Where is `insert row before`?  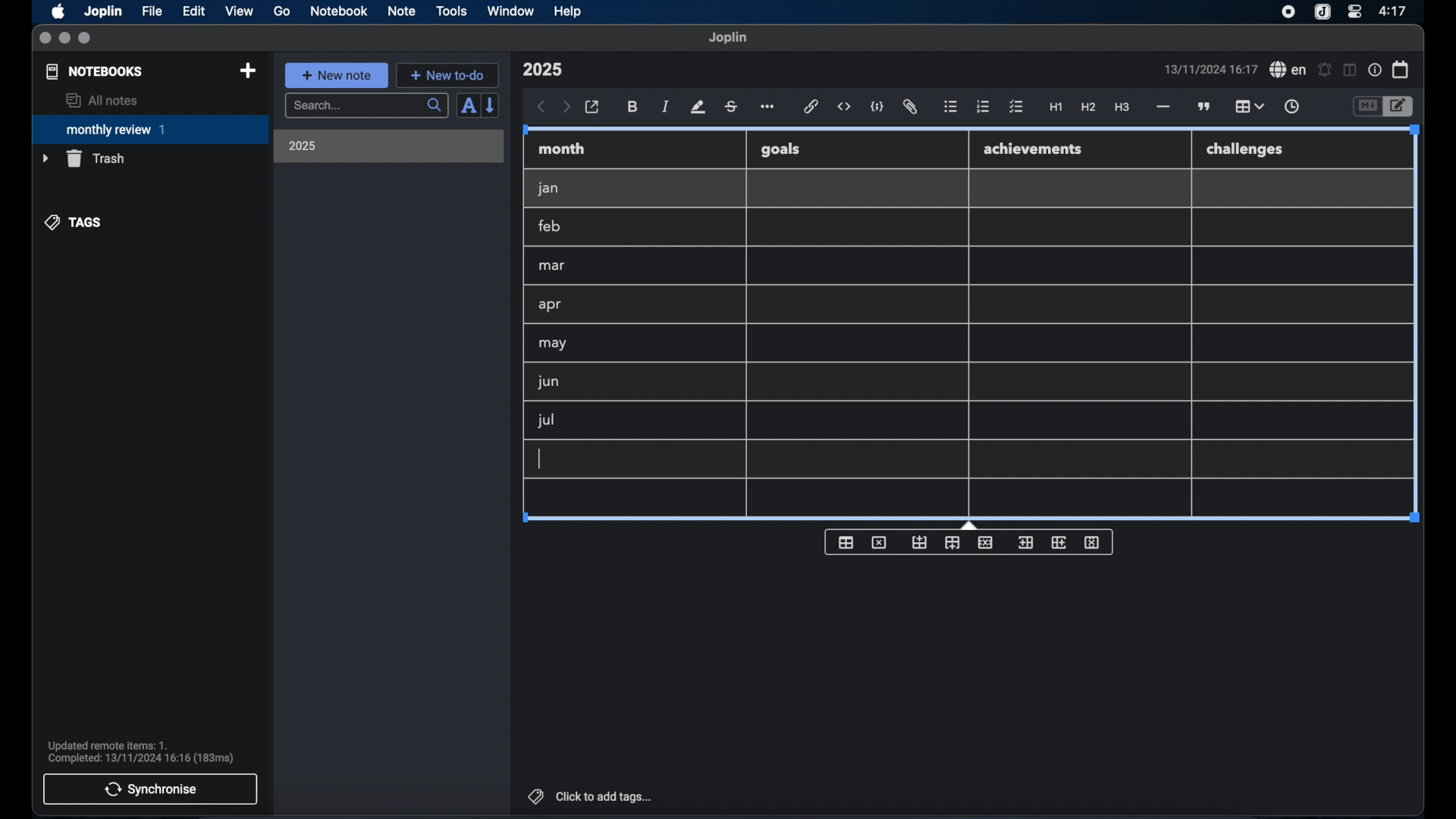
insert row before is located at coordinates (920, 543).